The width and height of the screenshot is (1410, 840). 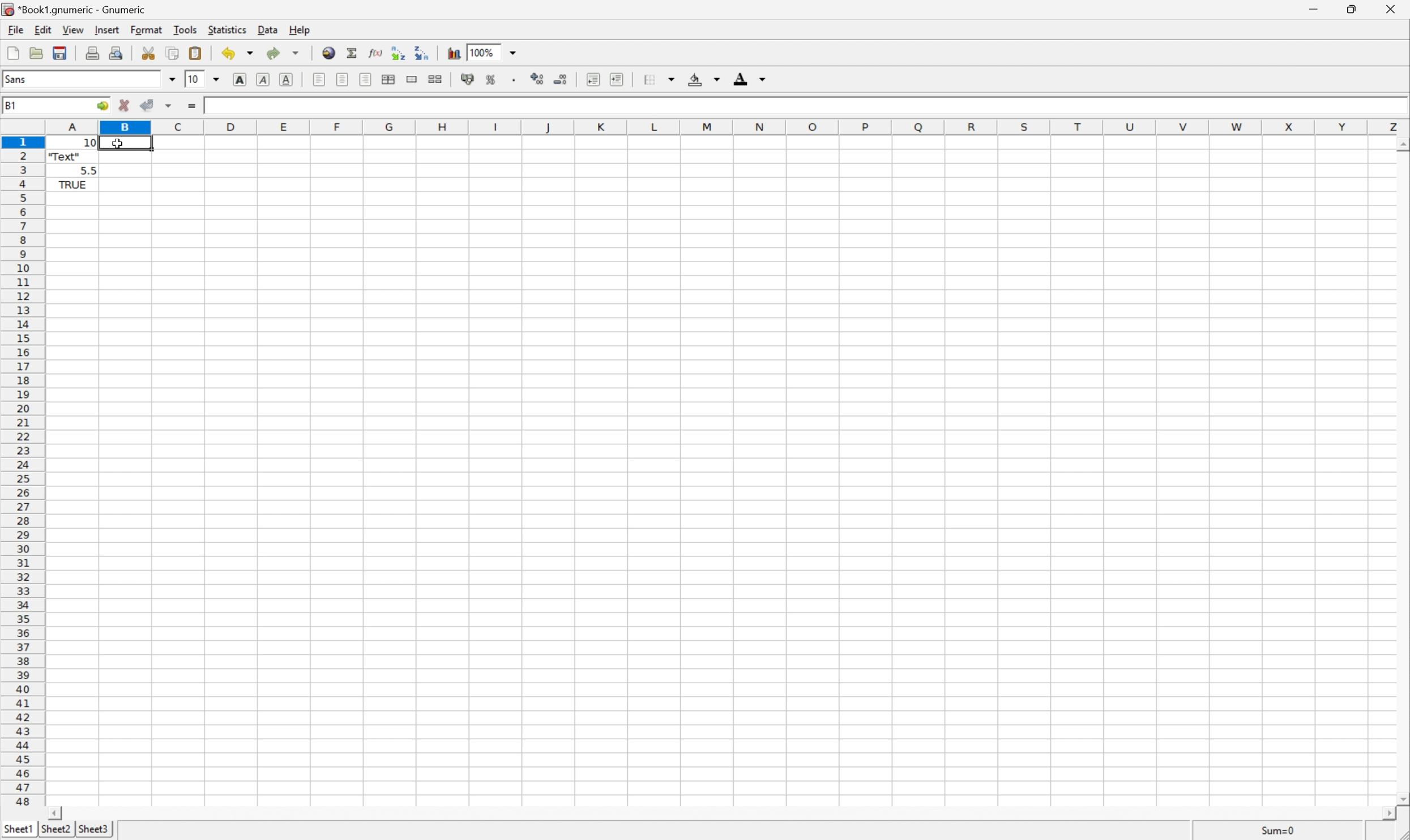 I want to click on Enter formula, so click(x=191, y=106).